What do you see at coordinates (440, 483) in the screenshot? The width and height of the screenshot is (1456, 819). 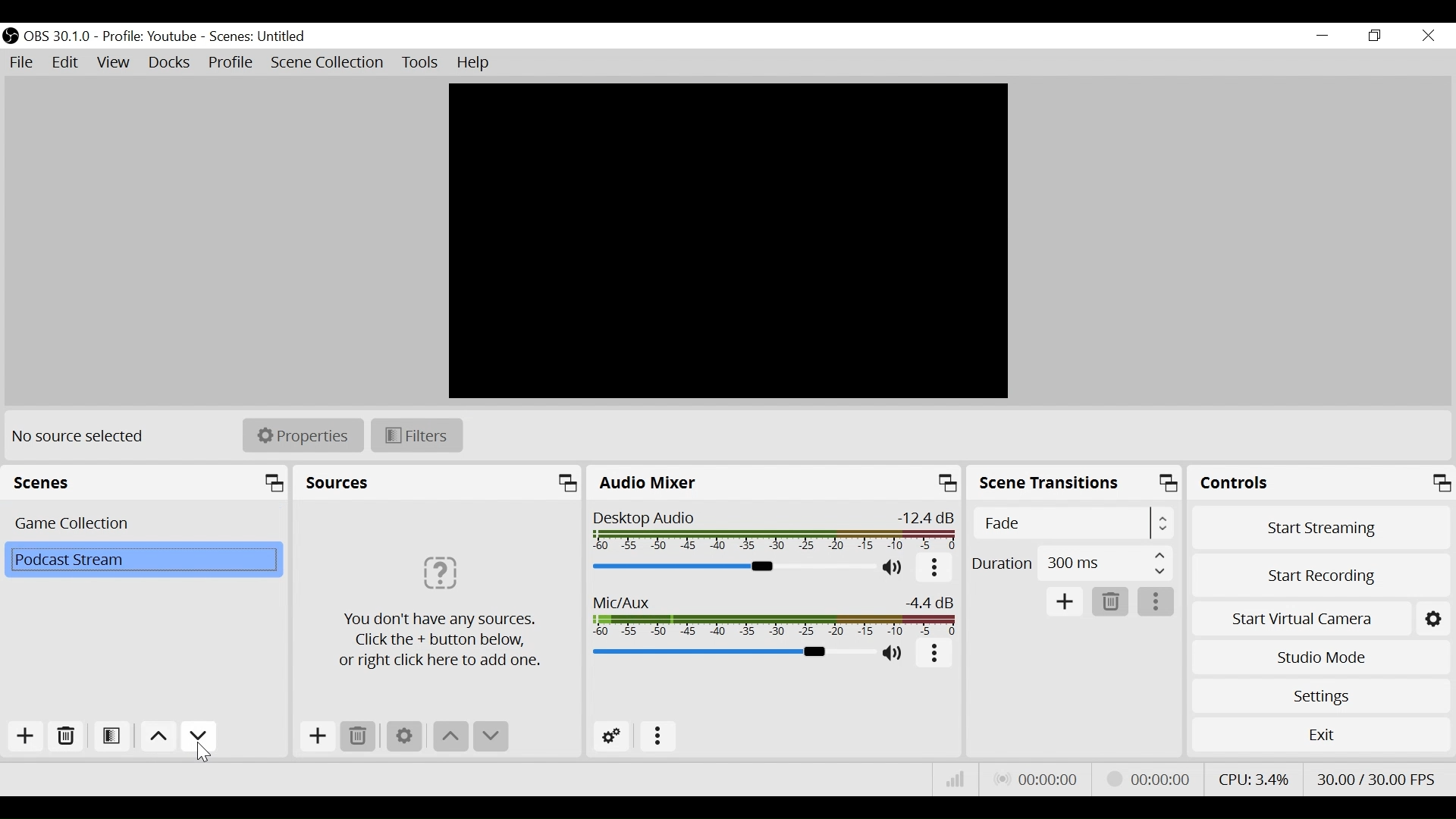 I see `Sources` at bounding box center [440, 483].